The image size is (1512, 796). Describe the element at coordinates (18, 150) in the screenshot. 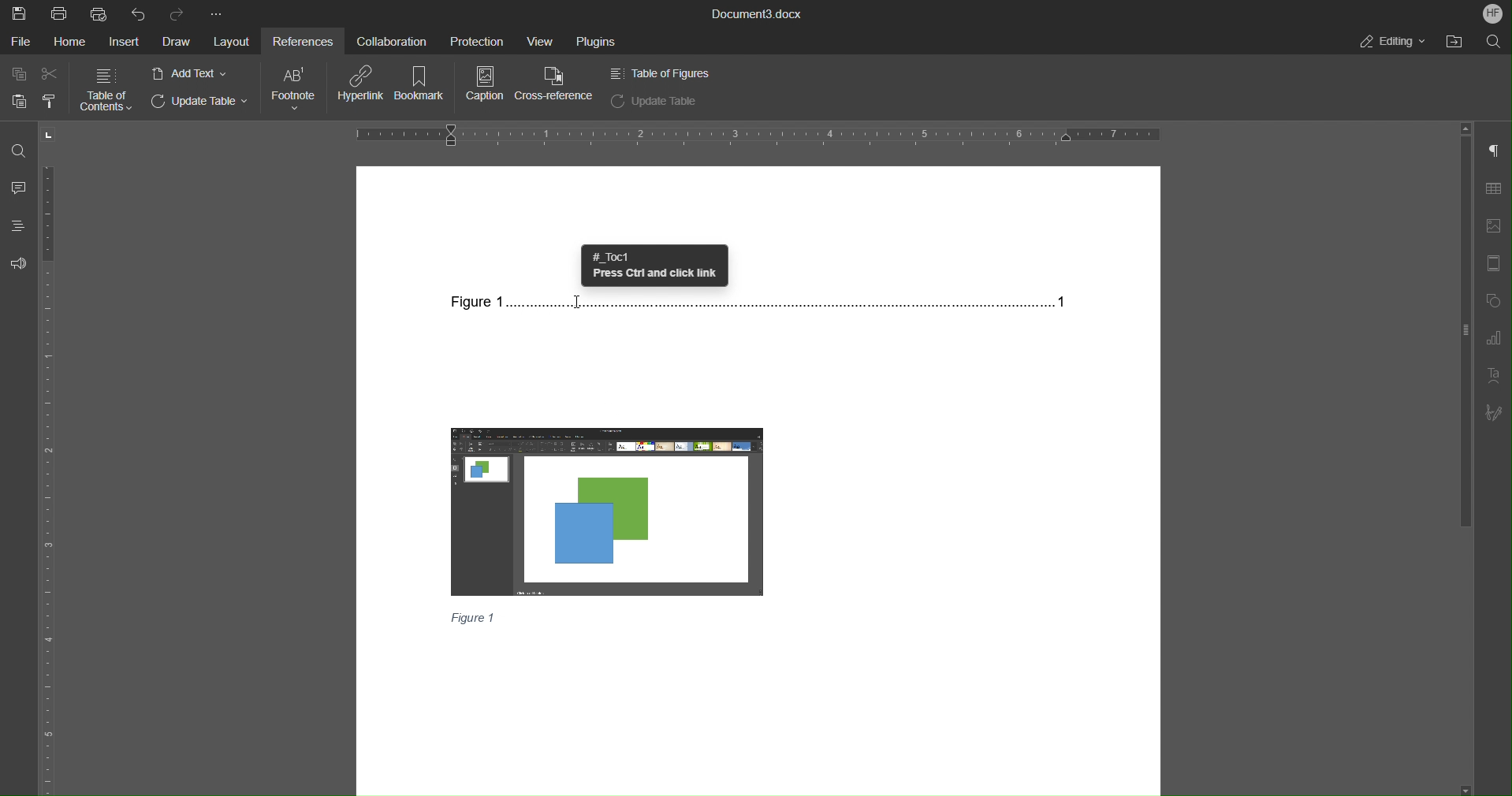

I see `Find` at that location.